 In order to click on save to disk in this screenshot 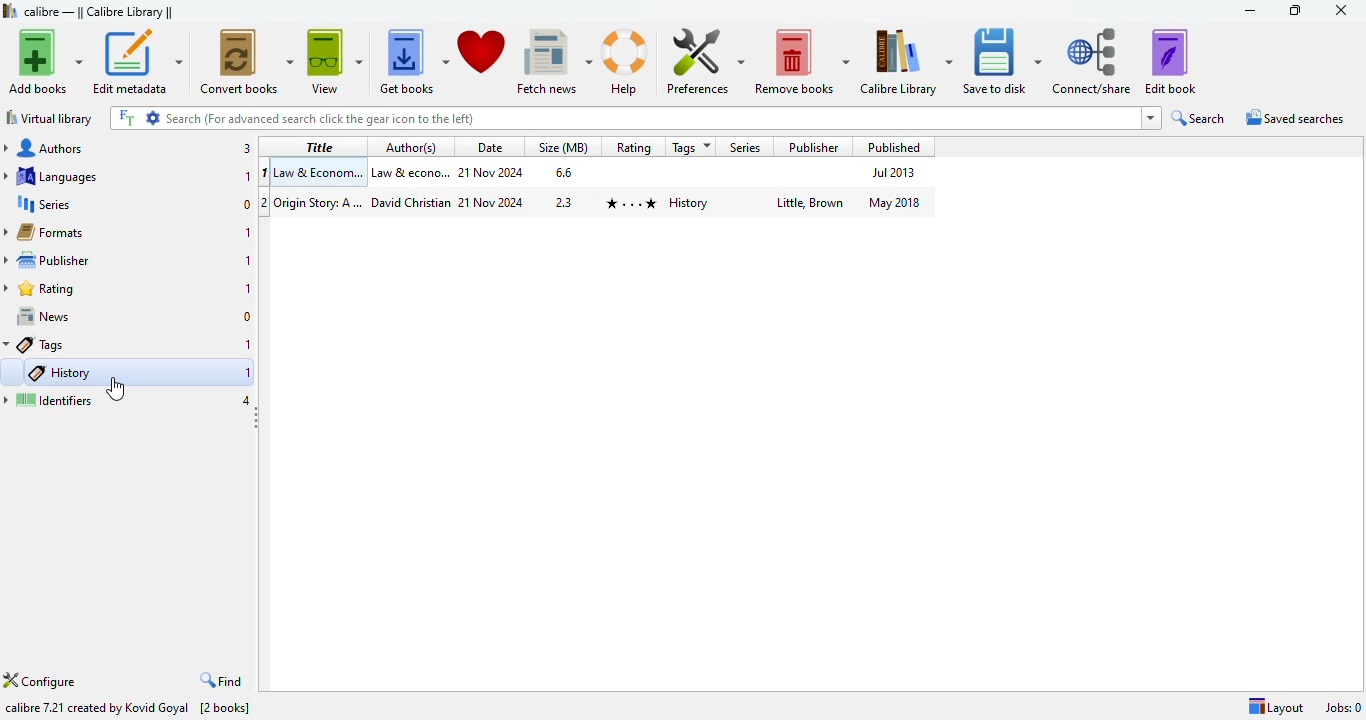, I will do `click(1003, 61)`.